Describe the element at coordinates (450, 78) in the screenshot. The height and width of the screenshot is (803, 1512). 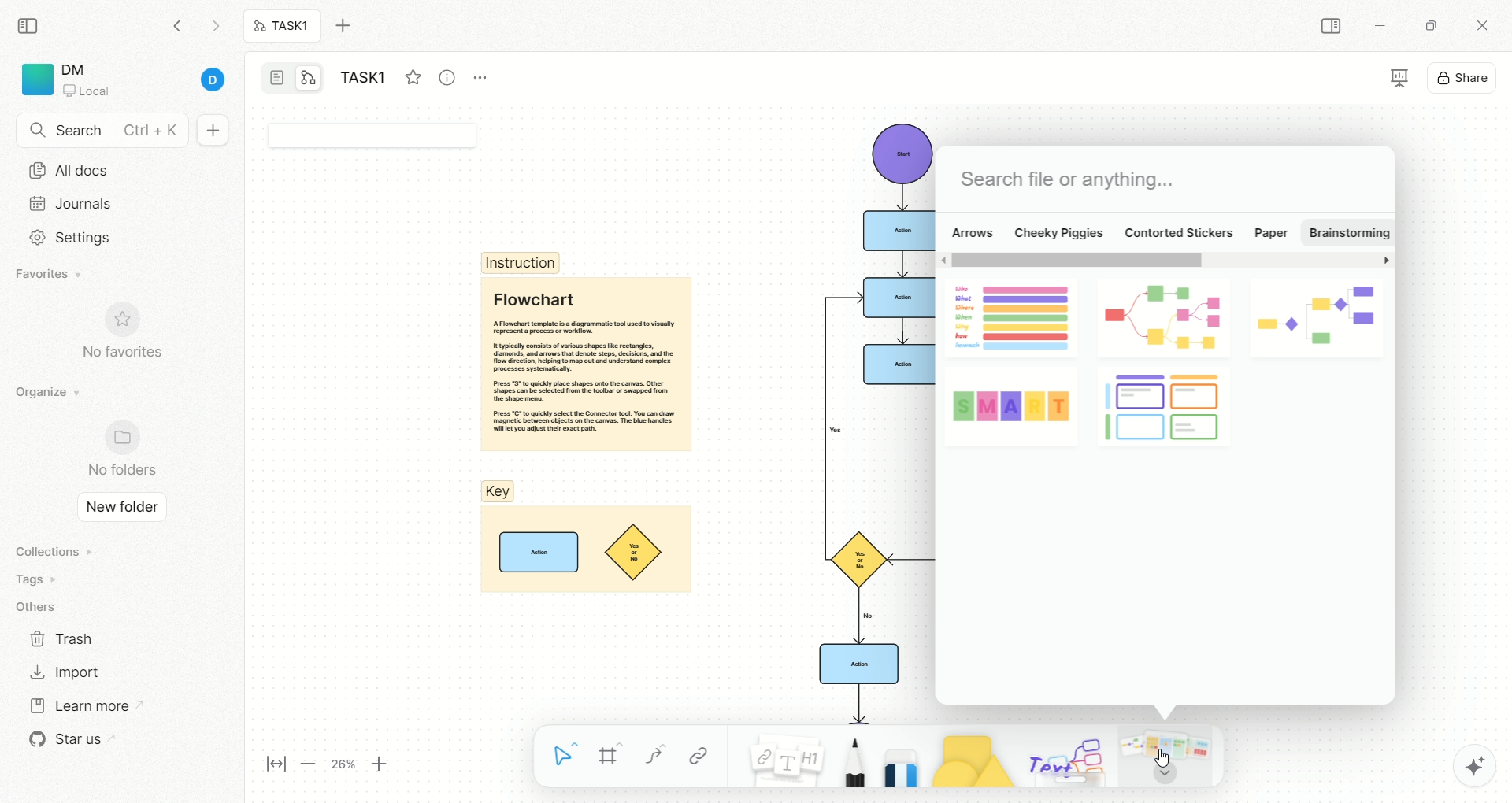
I see `view info` at that location.